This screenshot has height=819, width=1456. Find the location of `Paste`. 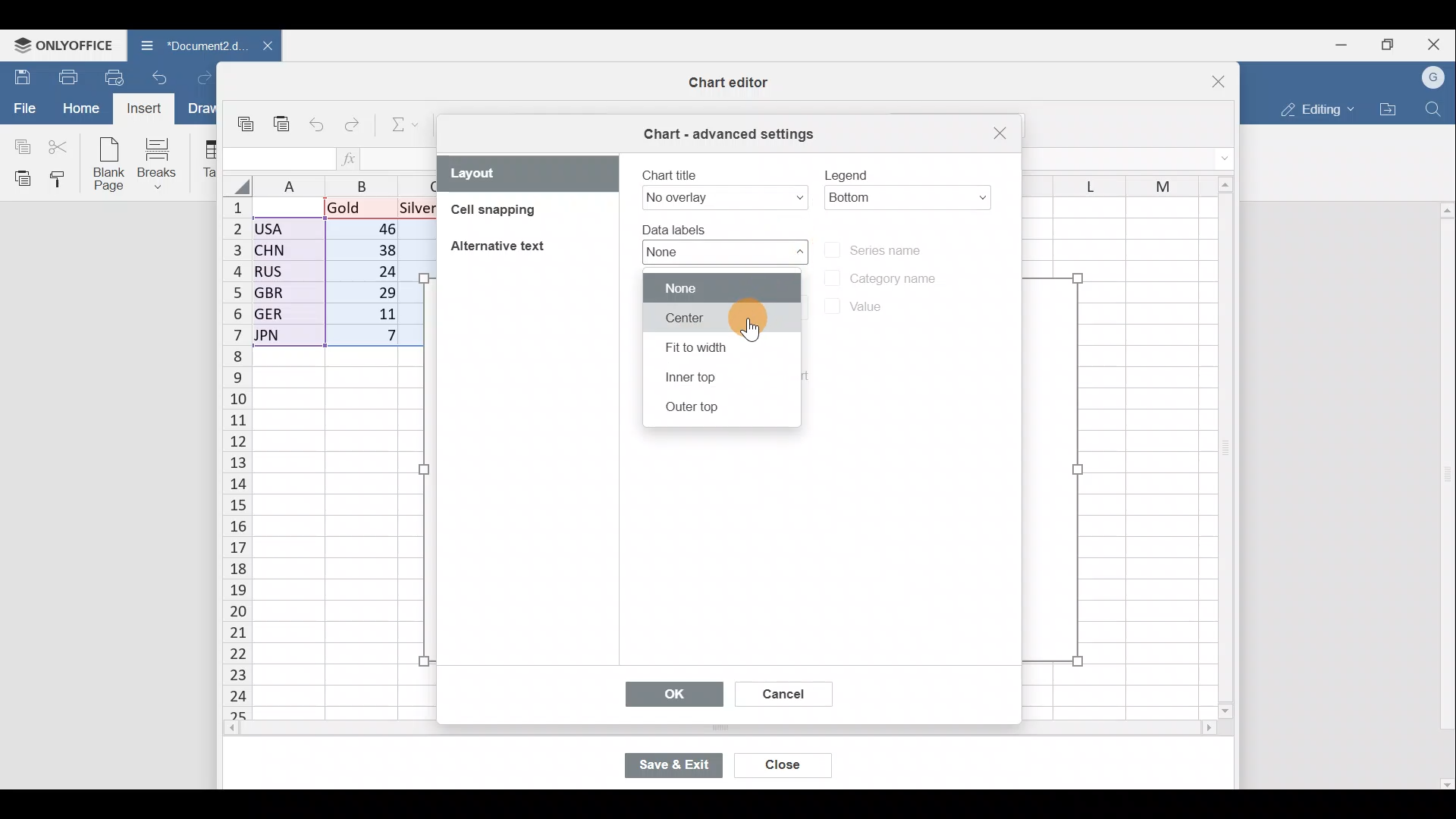

Paste is located at coordinates (283, 129).